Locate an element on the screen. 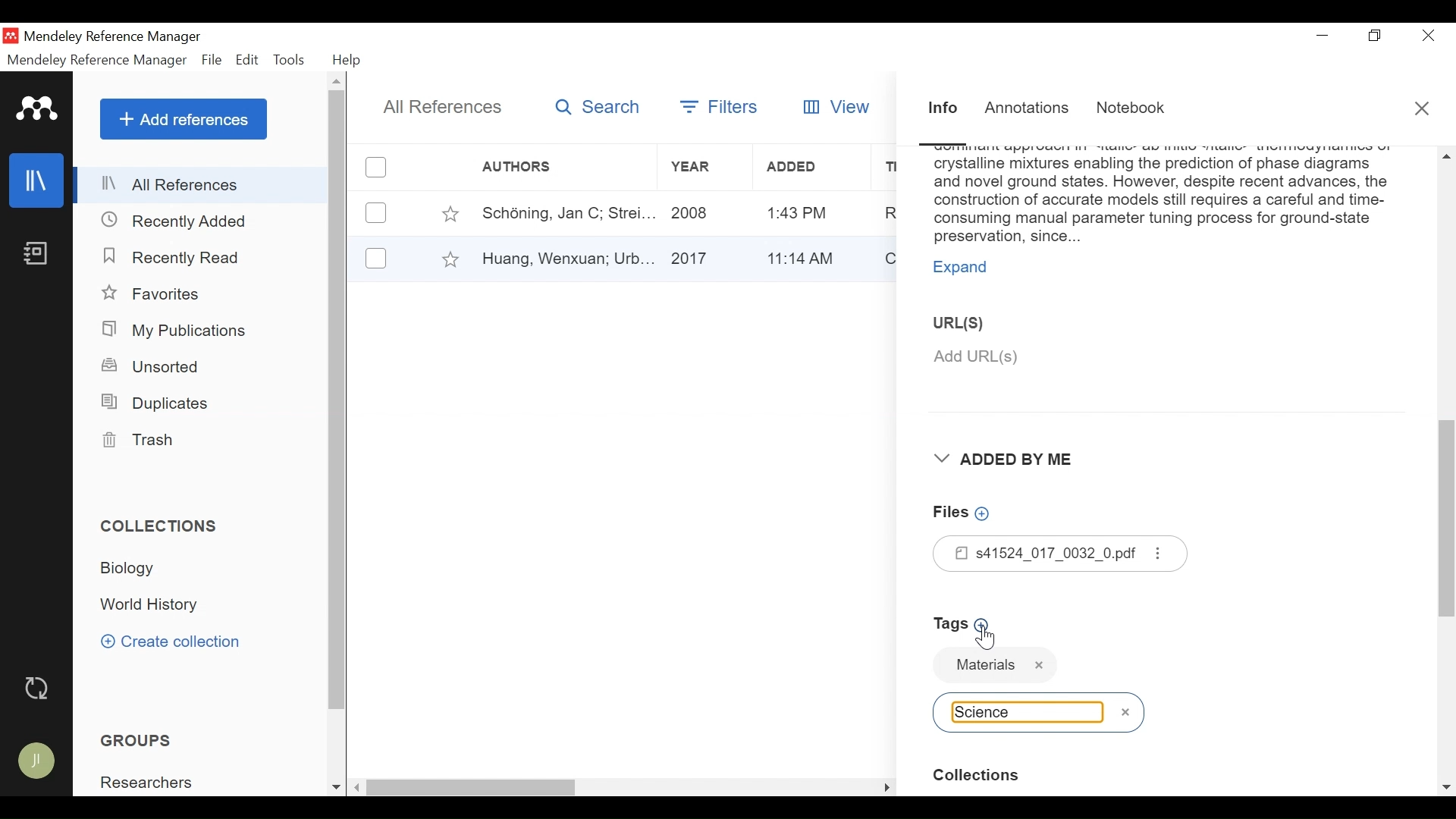 This screenshot has width=1456, height=819. All References is located at coordinates (441, 108).